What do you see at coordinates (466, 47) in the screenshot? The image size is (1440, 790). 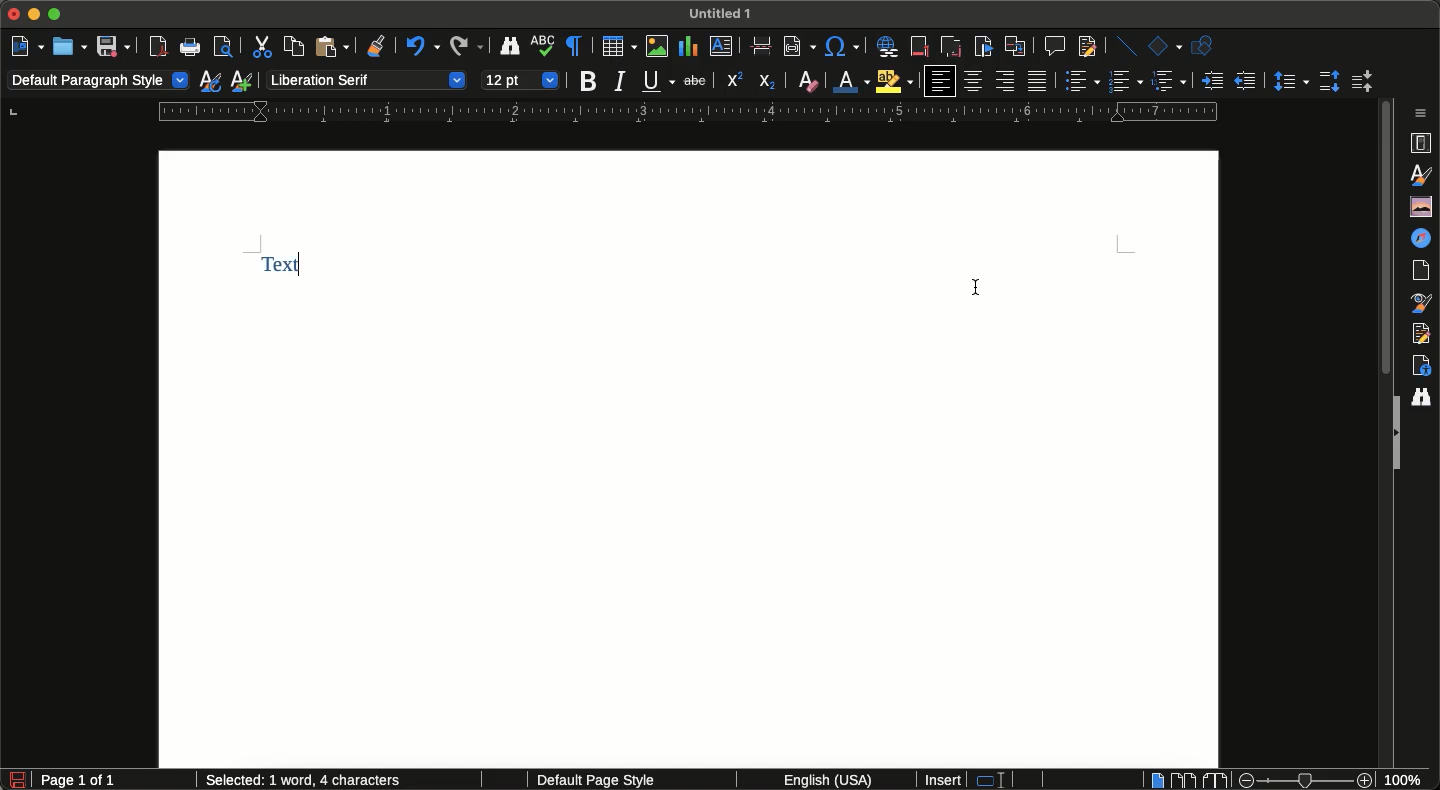 I see `Redo` at bounding box center [466, 47].